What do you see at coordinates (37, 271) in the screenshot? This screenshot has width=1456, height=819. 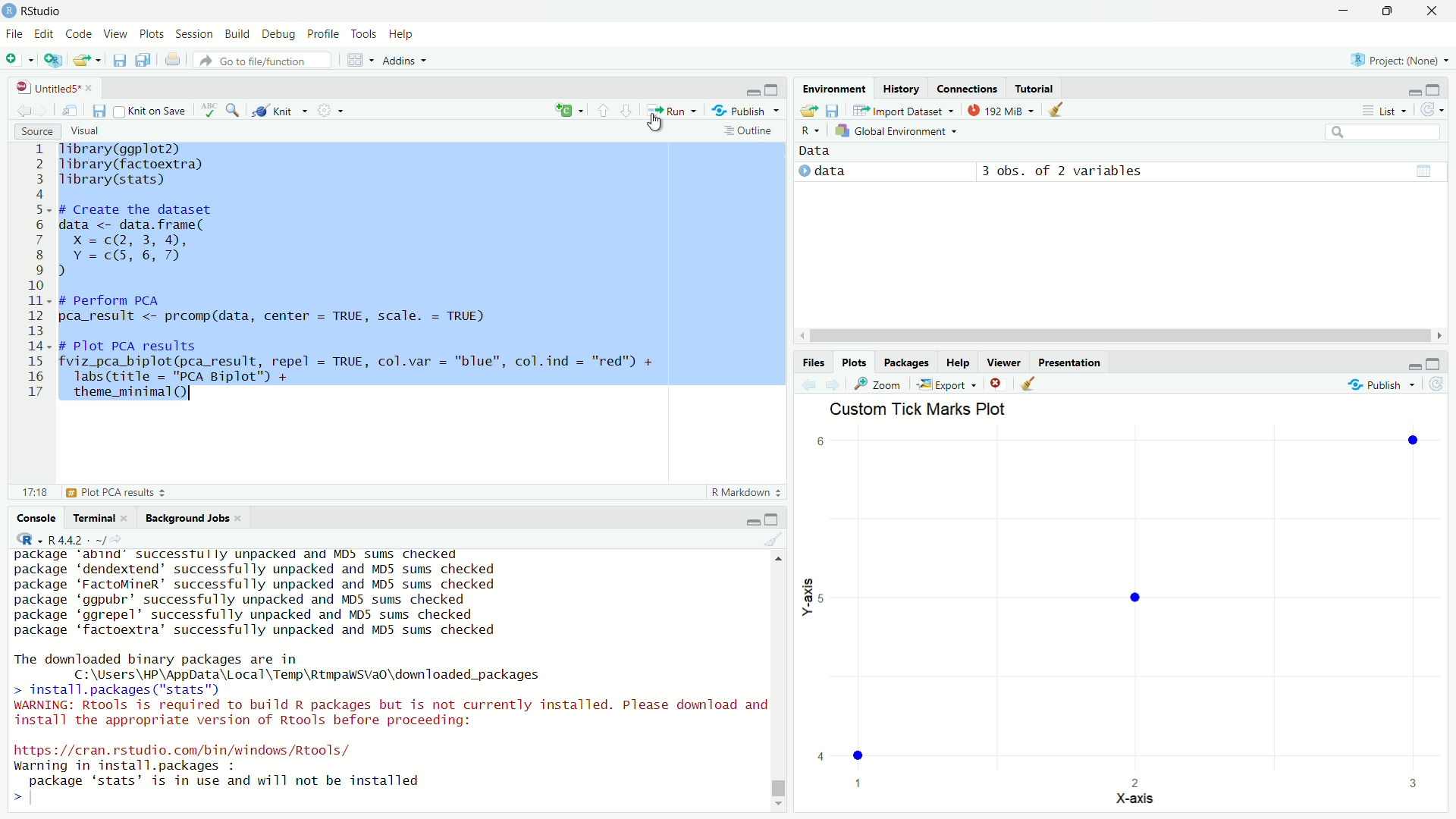 I see `line number` at bounding box center [37, 271].